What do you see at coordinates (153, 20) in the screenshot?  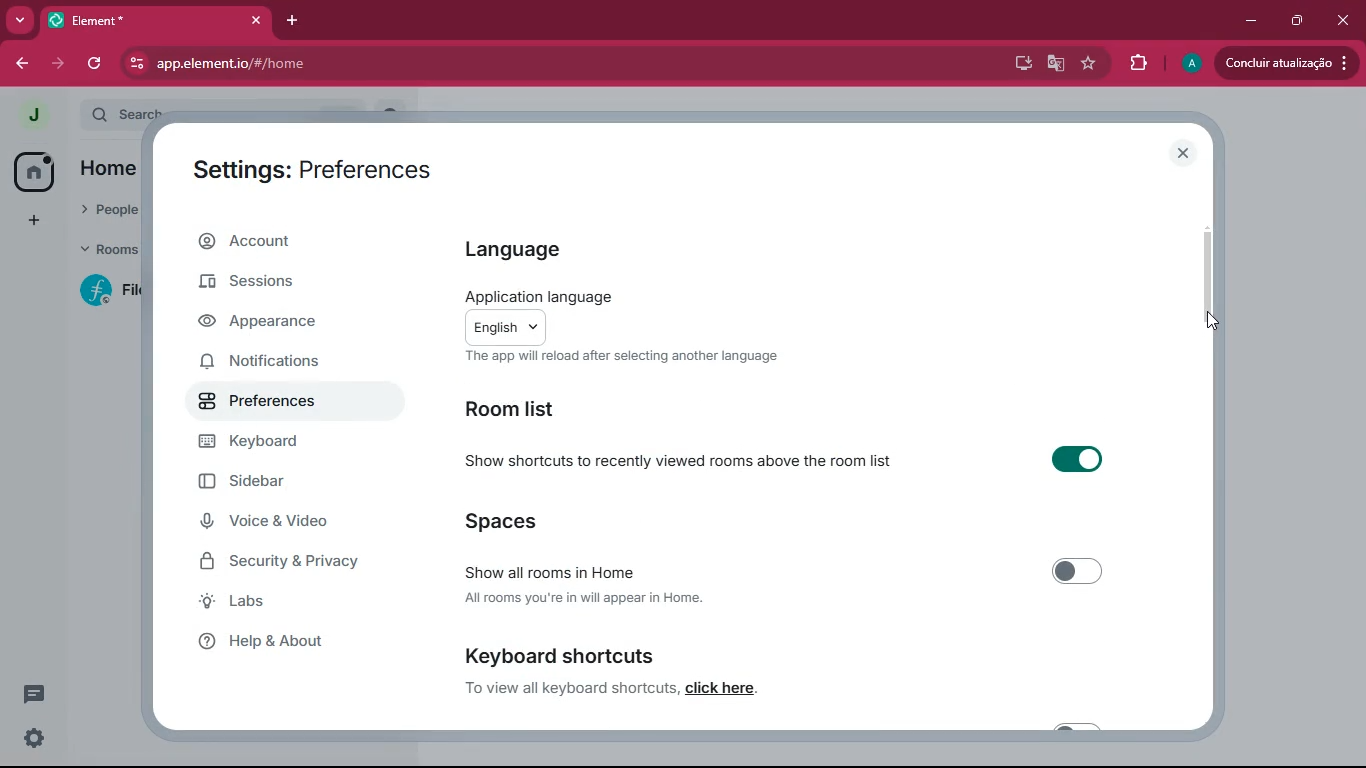 I see `tab` at bounding box center [153, 20].